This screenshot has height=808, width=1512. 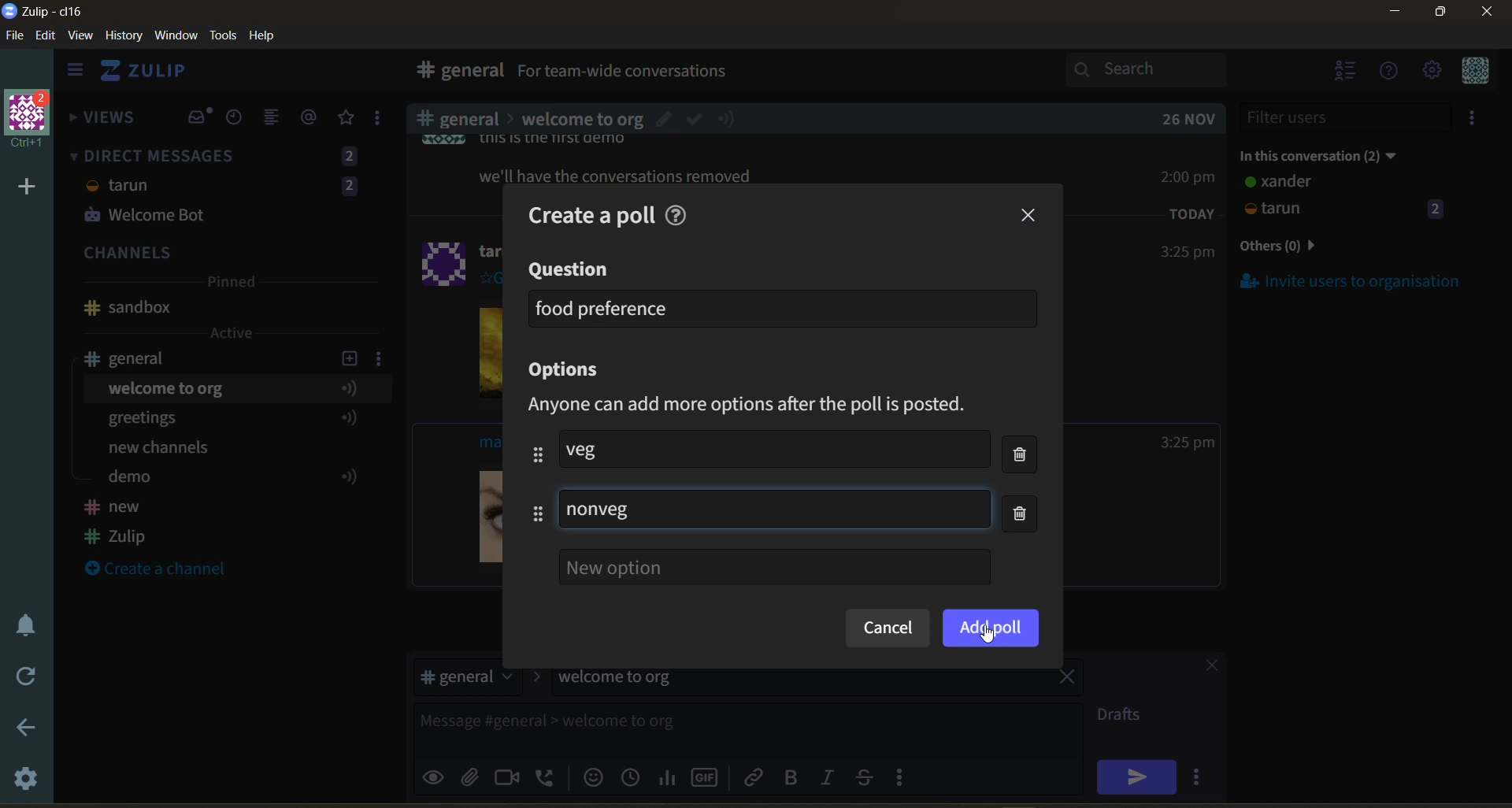 What do you see at coordinates (24, 728) in the screenshot?
I see `go back` at bounding box center [24, 728].